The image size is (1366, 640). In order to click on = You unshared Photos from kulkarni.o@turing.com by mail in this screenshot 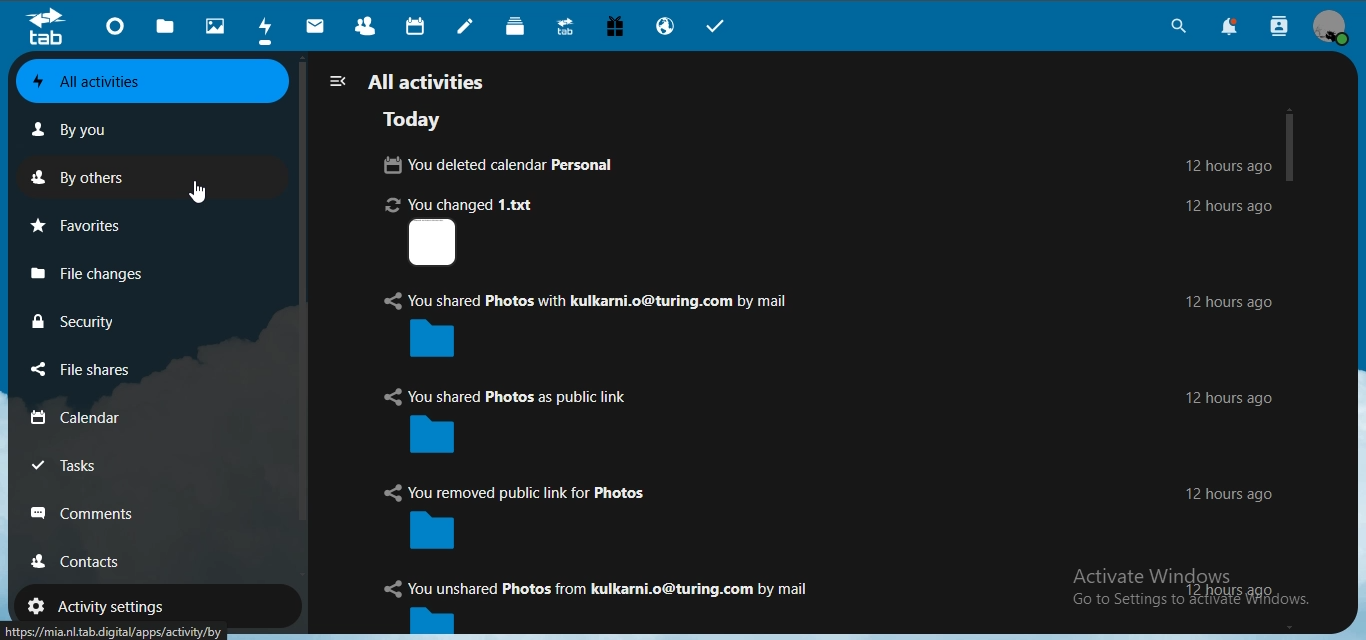, I will do `click(643, 605)`.